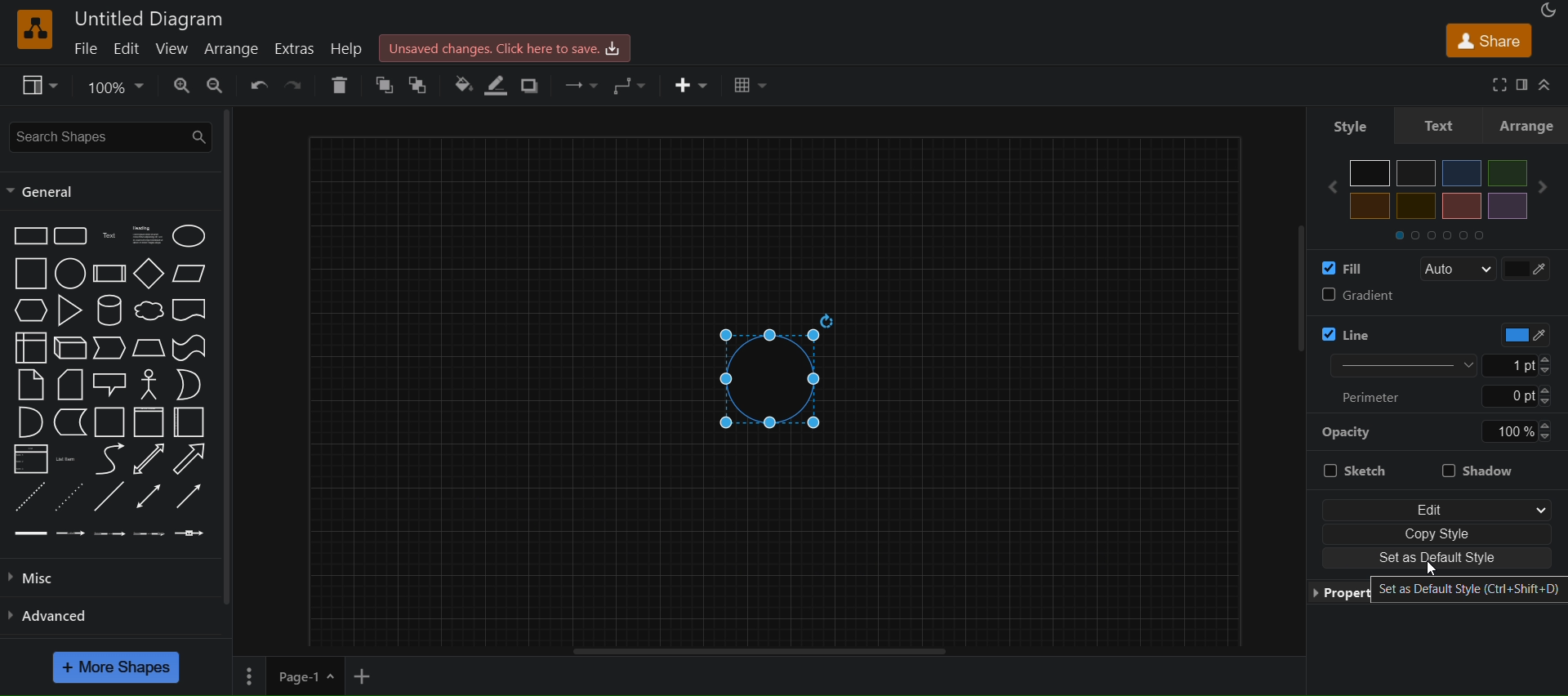 Image resolution: width=1568 pixels, height=696 pixels. What do you see at coordinates (350, 49) in the screenshot?
I see `help` at bounding box center [350, 49].